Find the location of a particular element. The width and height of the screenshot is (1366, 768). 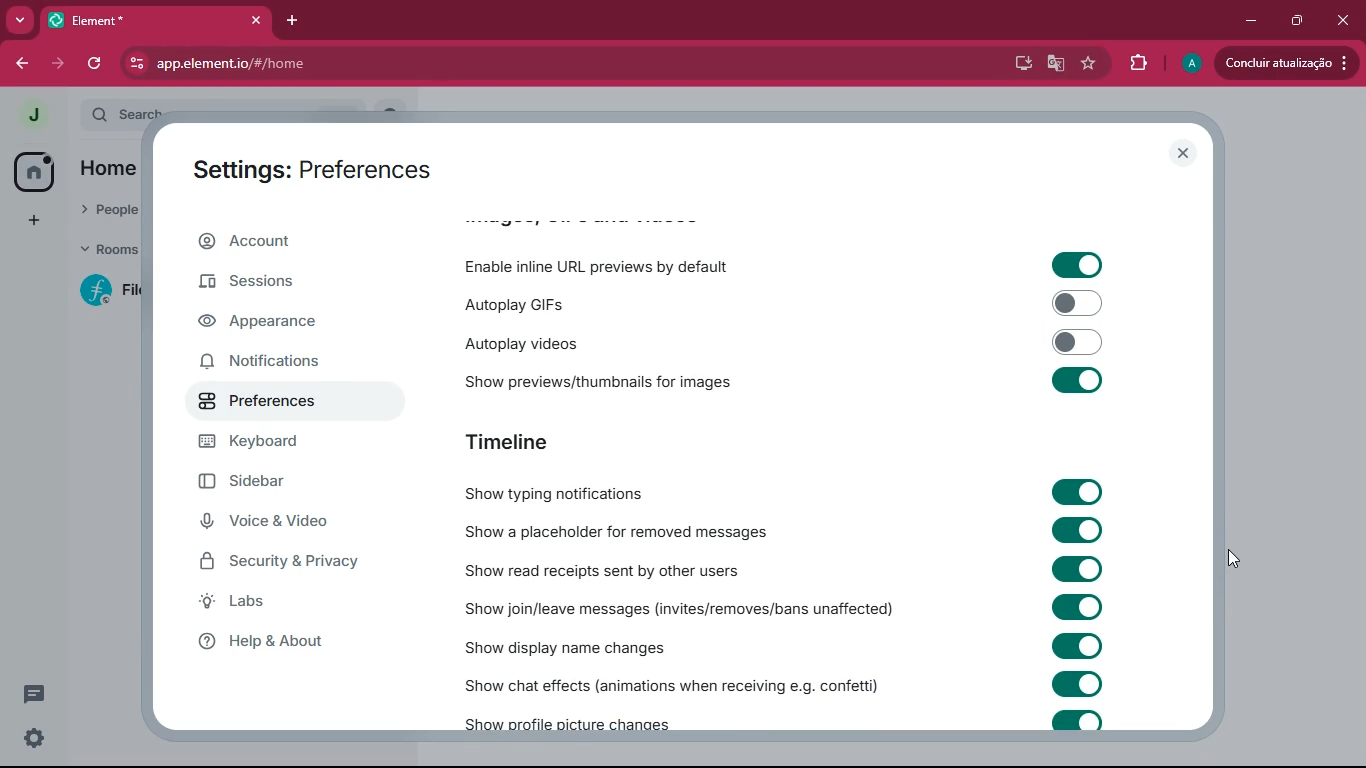

settings: preferences is located at coordinates (310, 169).